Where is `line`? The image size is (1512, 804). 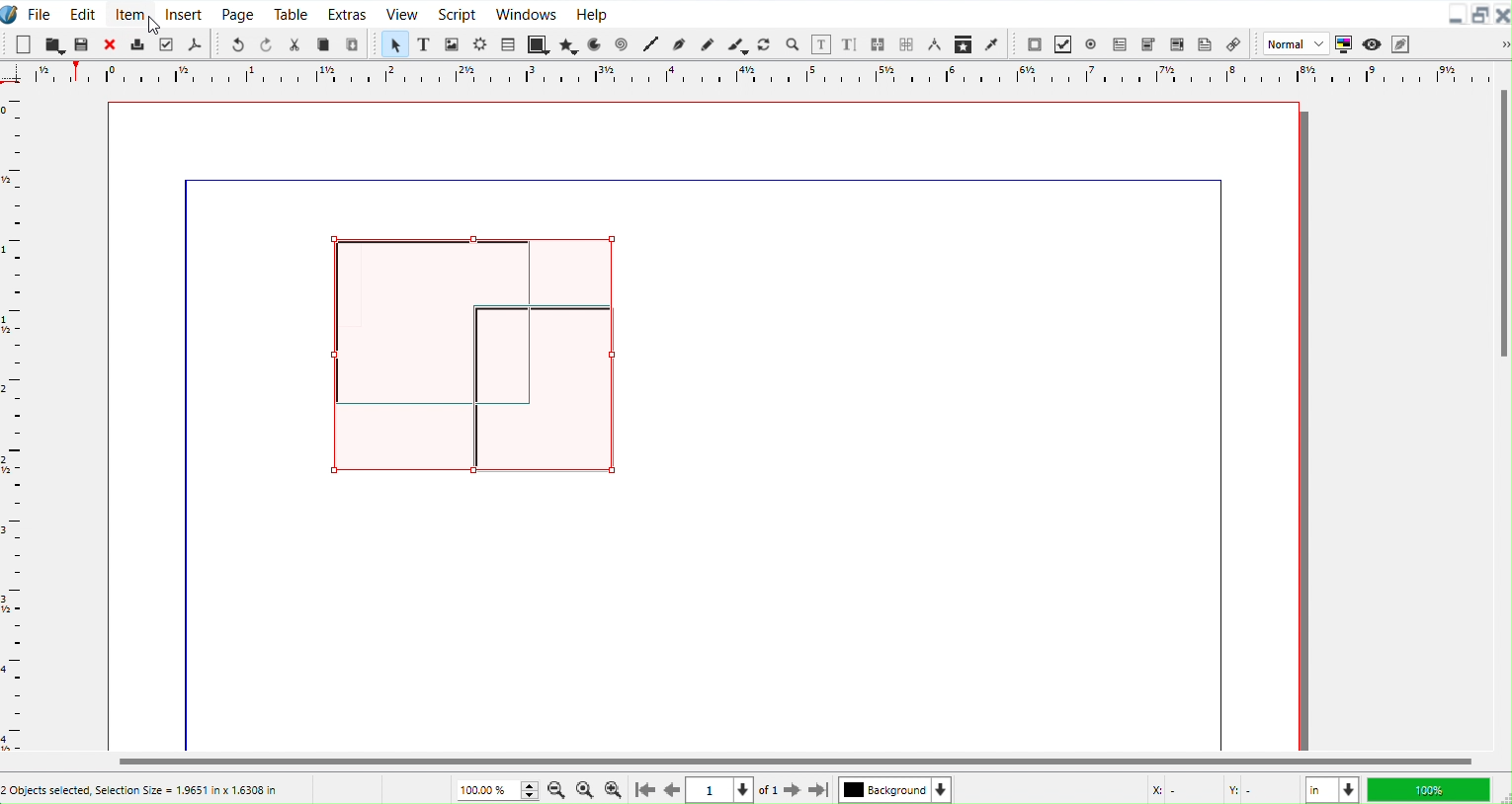
line is located at coordinates (1220, 471).